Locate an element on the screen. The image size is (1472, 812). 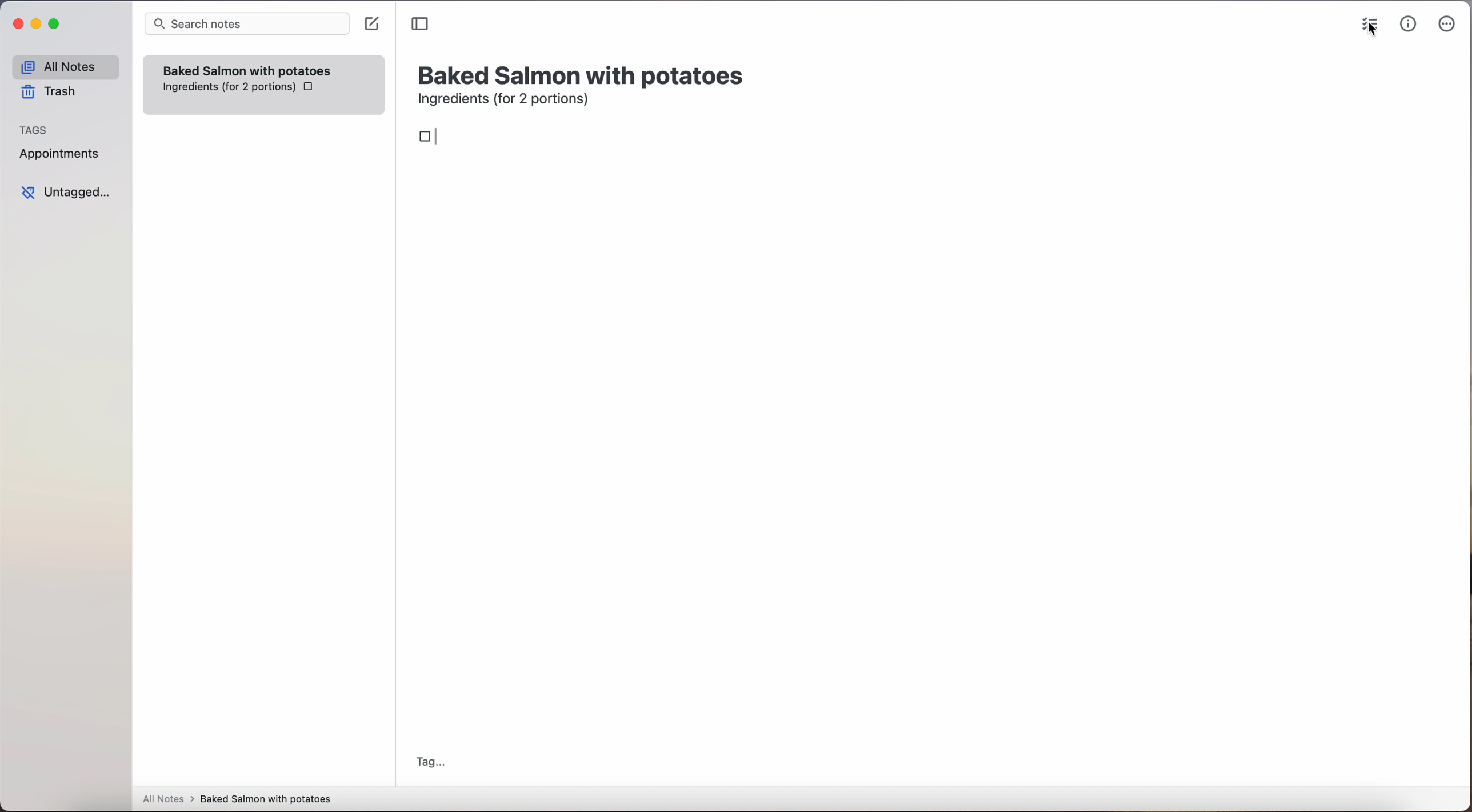
Baked Salmon with potatoes is located at coordinates (247, 69).